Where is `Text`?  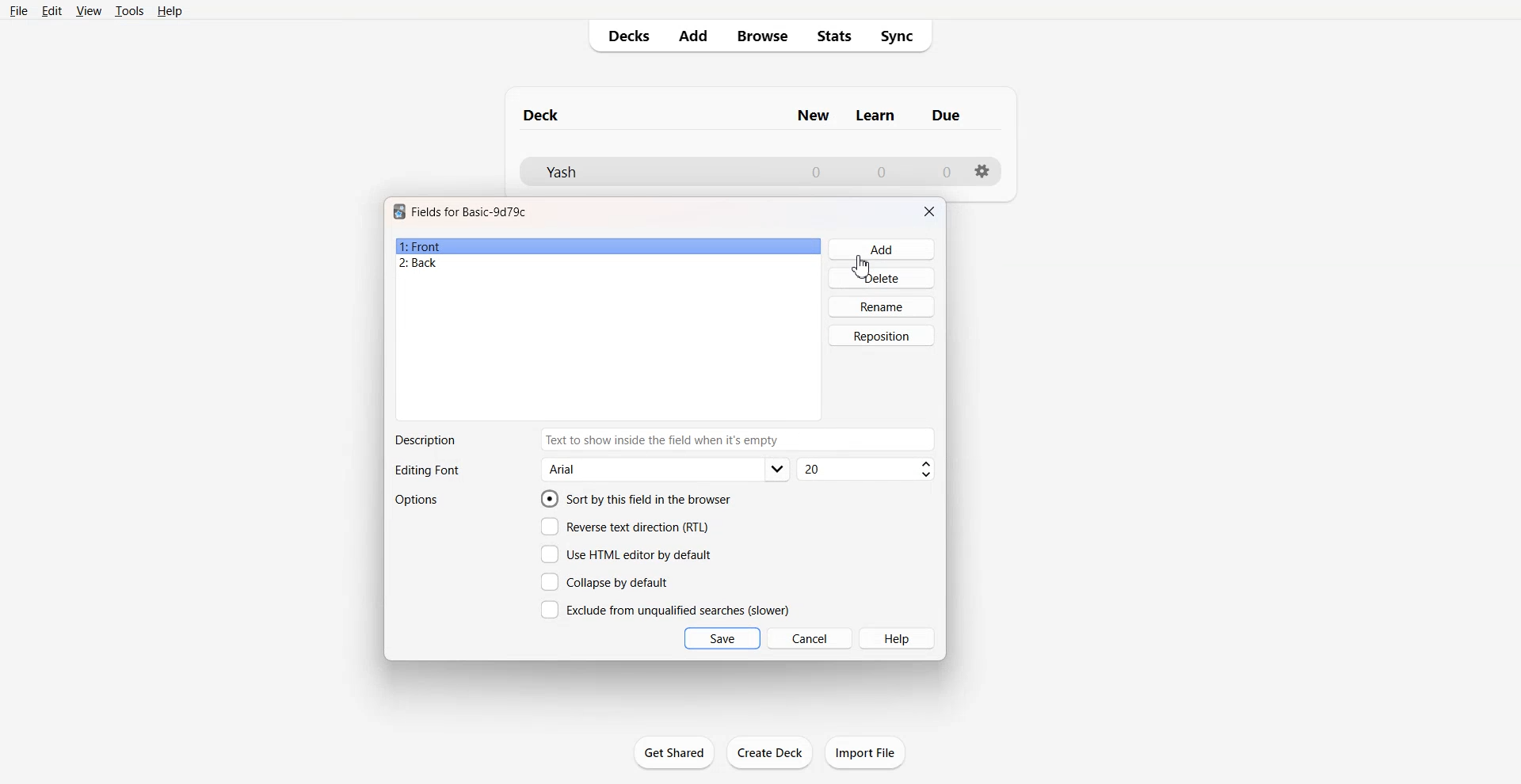 Text is located at coordinates (425, 440).